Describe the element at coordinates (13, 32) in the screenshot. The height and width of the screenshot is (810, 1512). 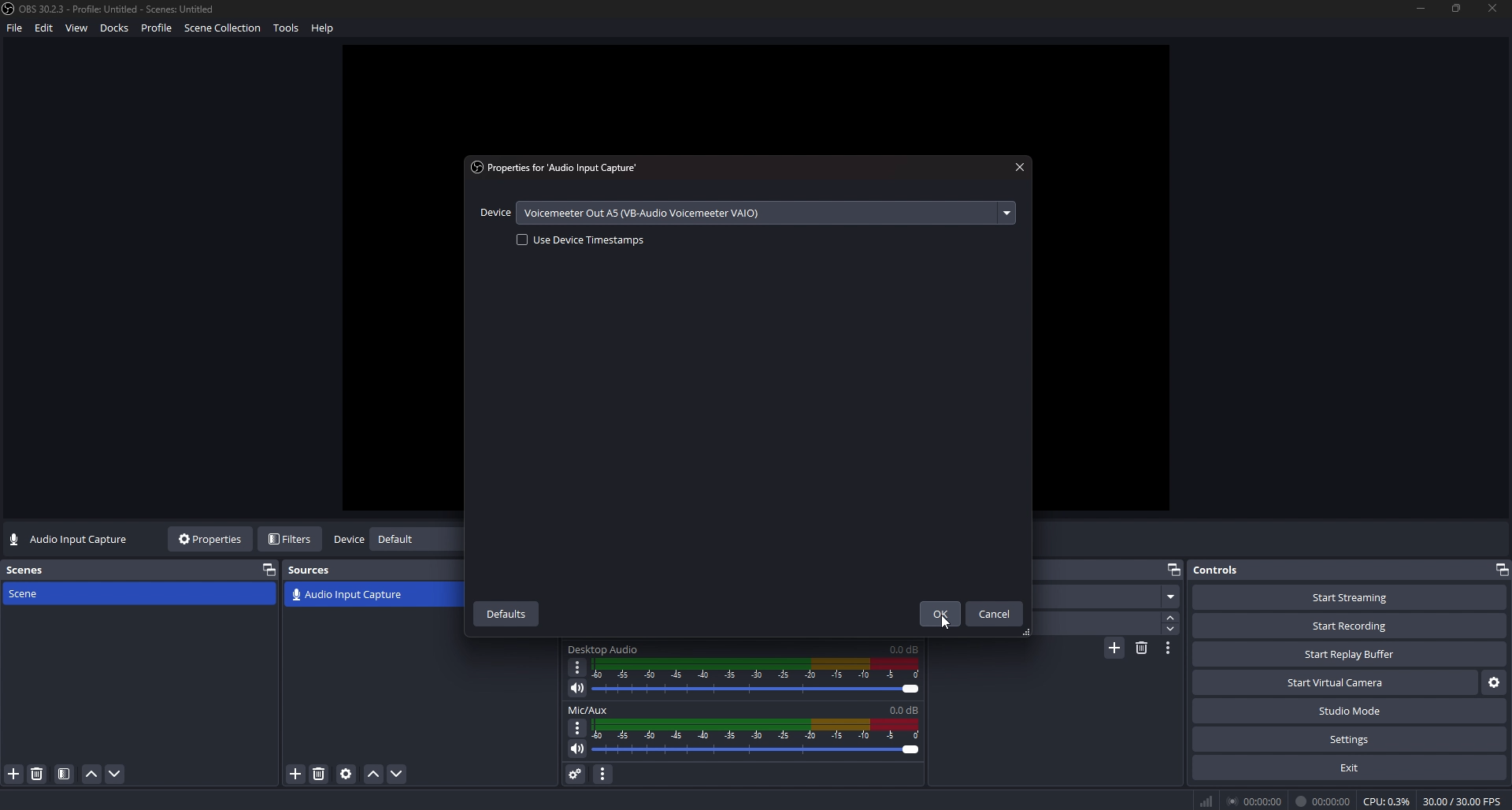
I see `file` at that location.